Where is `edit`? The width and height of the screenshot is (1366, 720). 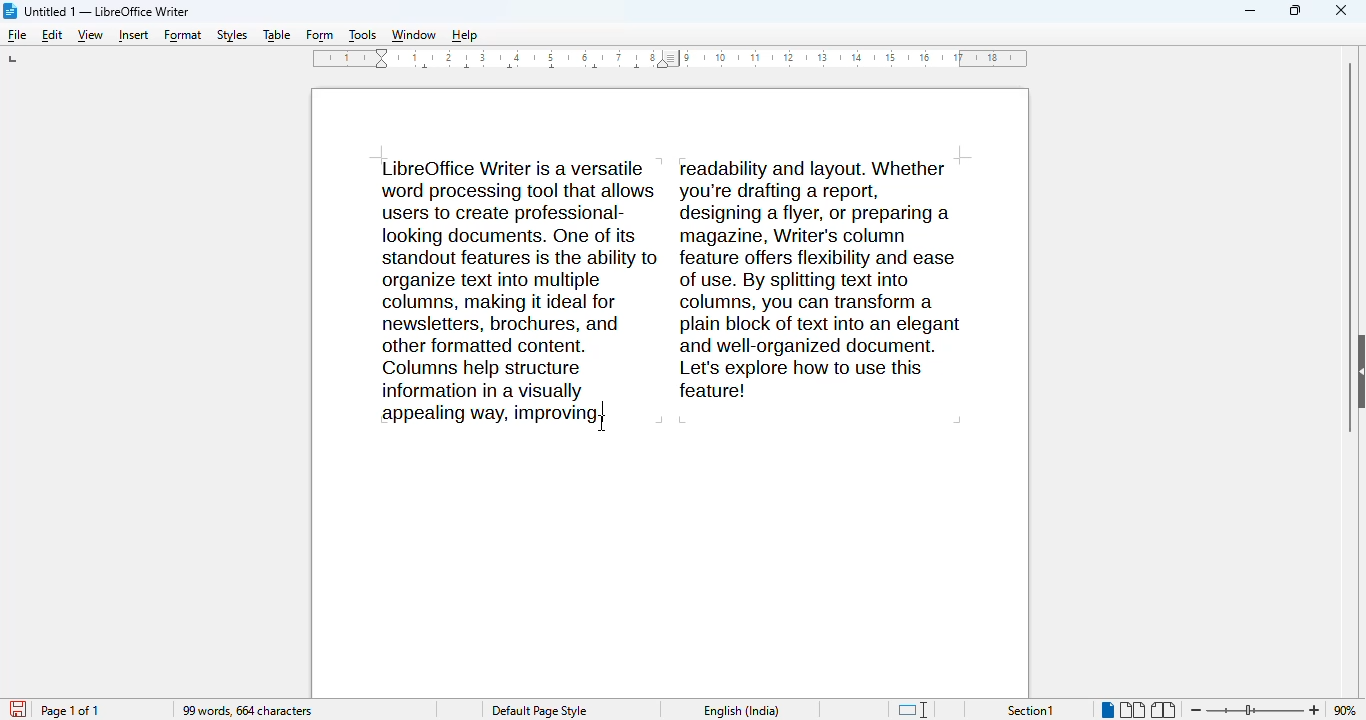
edit is located at coordinates (52, 35).